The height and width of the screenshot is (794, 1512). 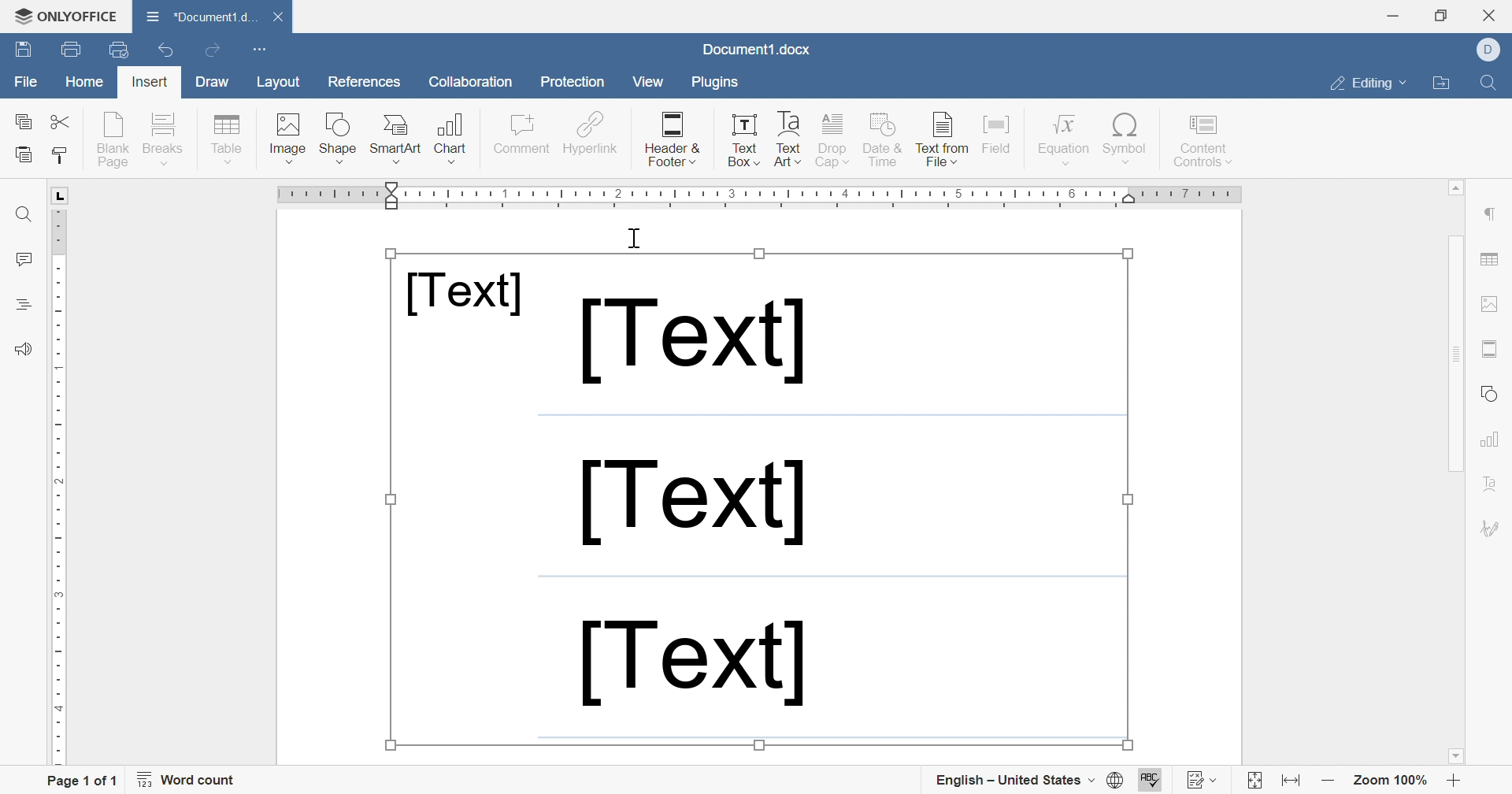 I want to click on Customize Quick Access Toolbar, so click(x=256, y=50).